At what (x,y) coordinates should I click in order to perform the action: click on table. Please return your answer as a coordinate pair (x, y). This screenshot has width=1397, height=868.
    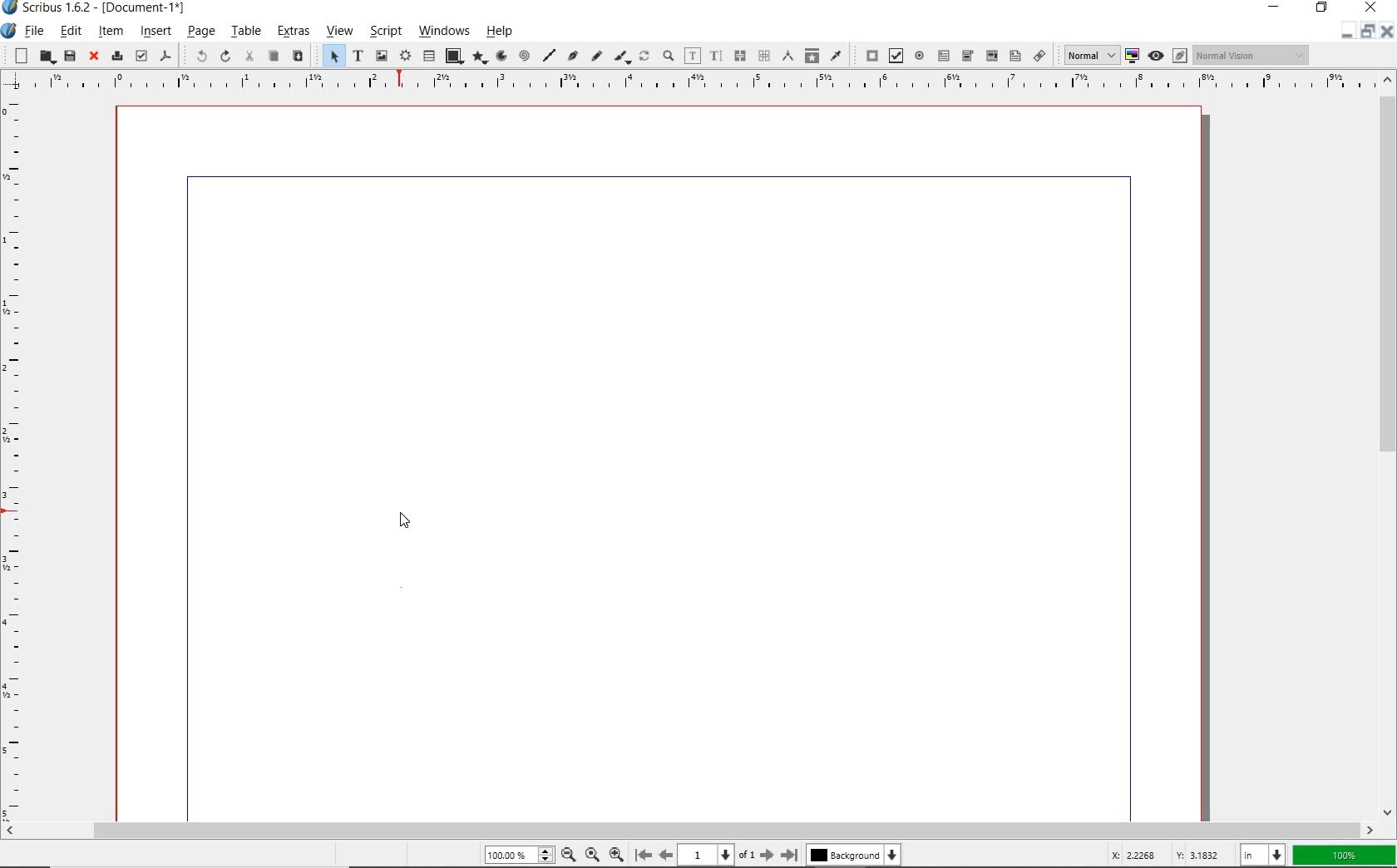
    Looking at the image, I should click on (245, 32).